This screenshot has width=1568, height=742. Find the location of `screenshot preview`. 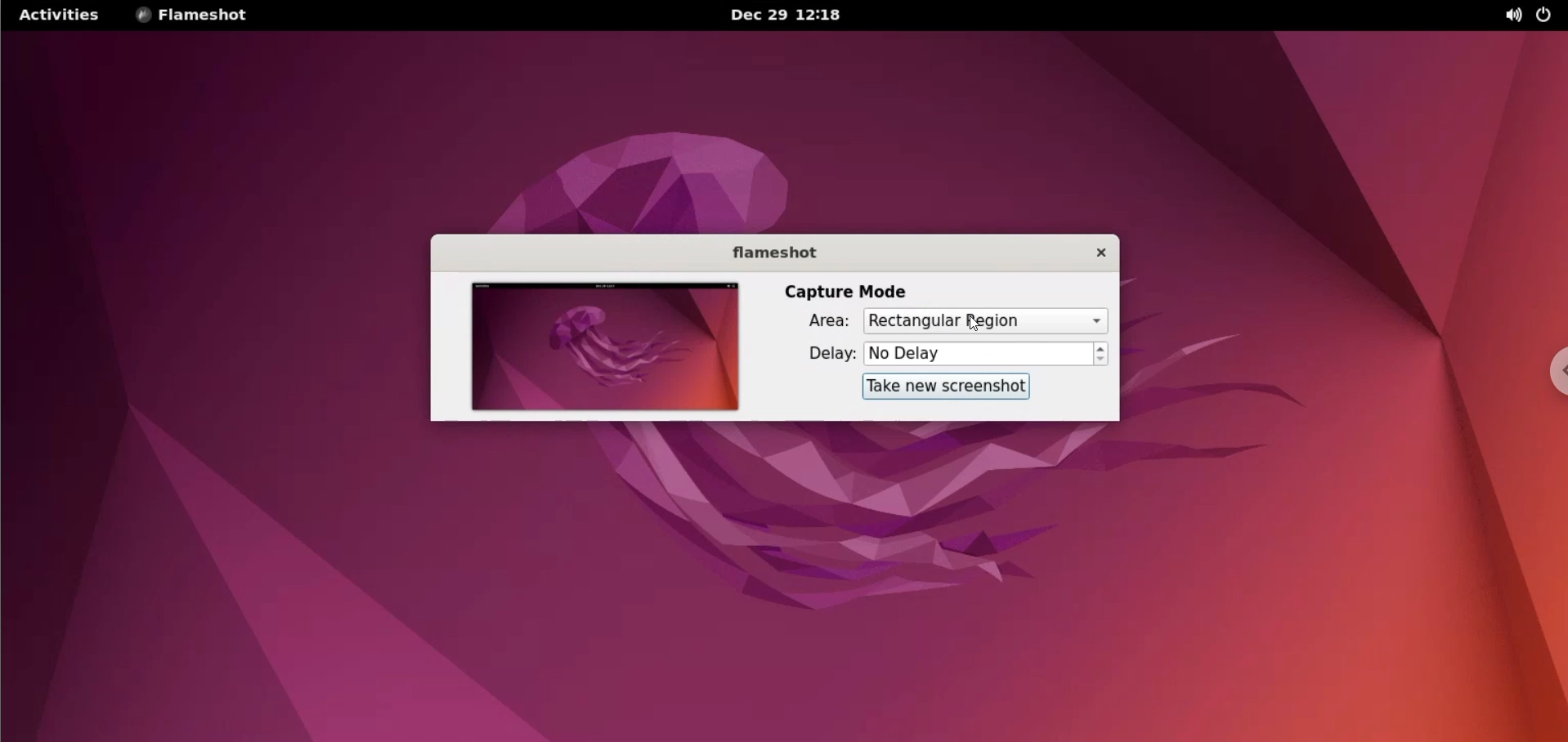

screenshot preview is located at coordinates (605, 347).